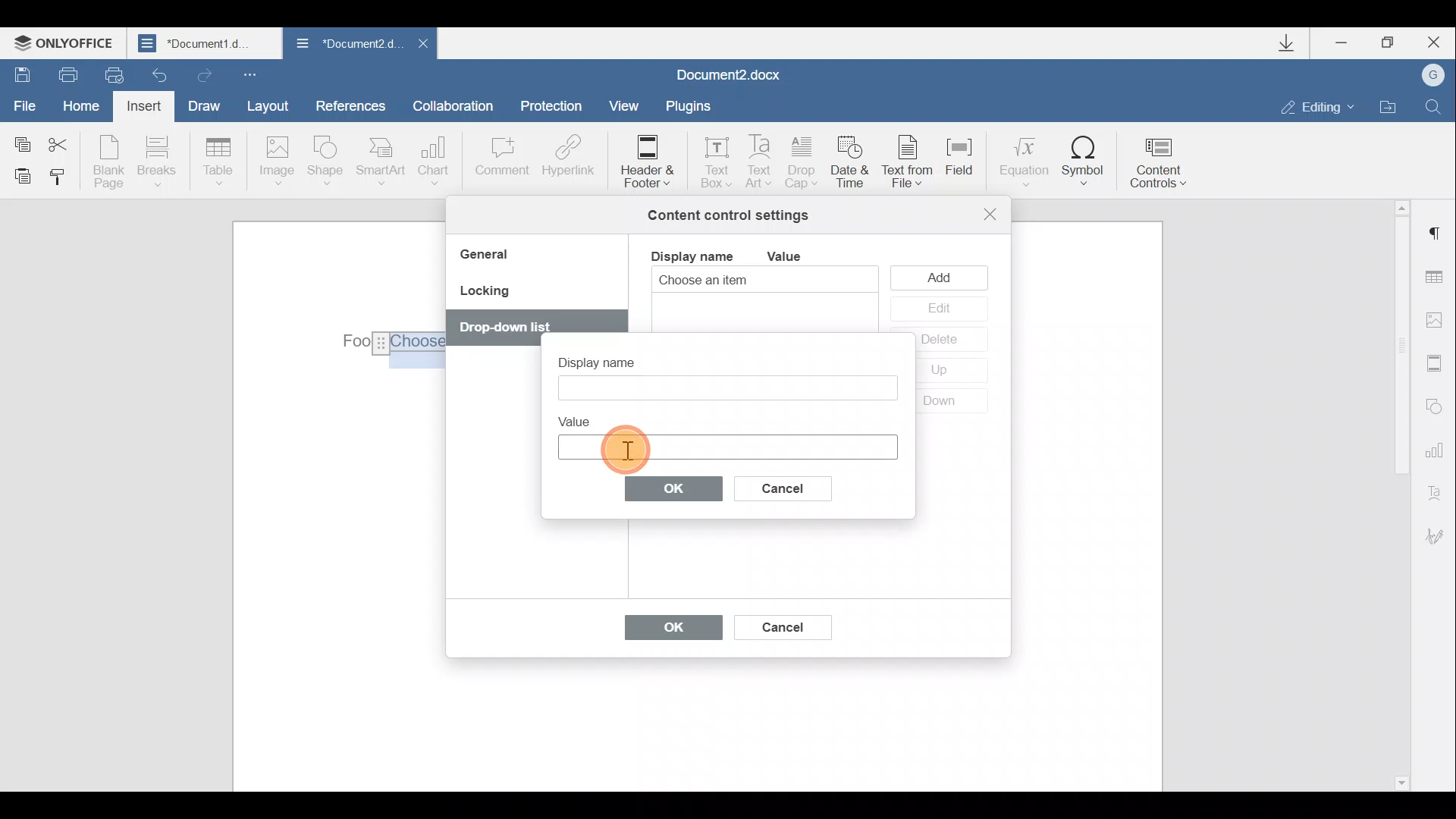 The width and height of the screenshot is (1456, 819). Describe the element at coordinates (1164, 158) in the screenshot. I see `Content controls` at that location.